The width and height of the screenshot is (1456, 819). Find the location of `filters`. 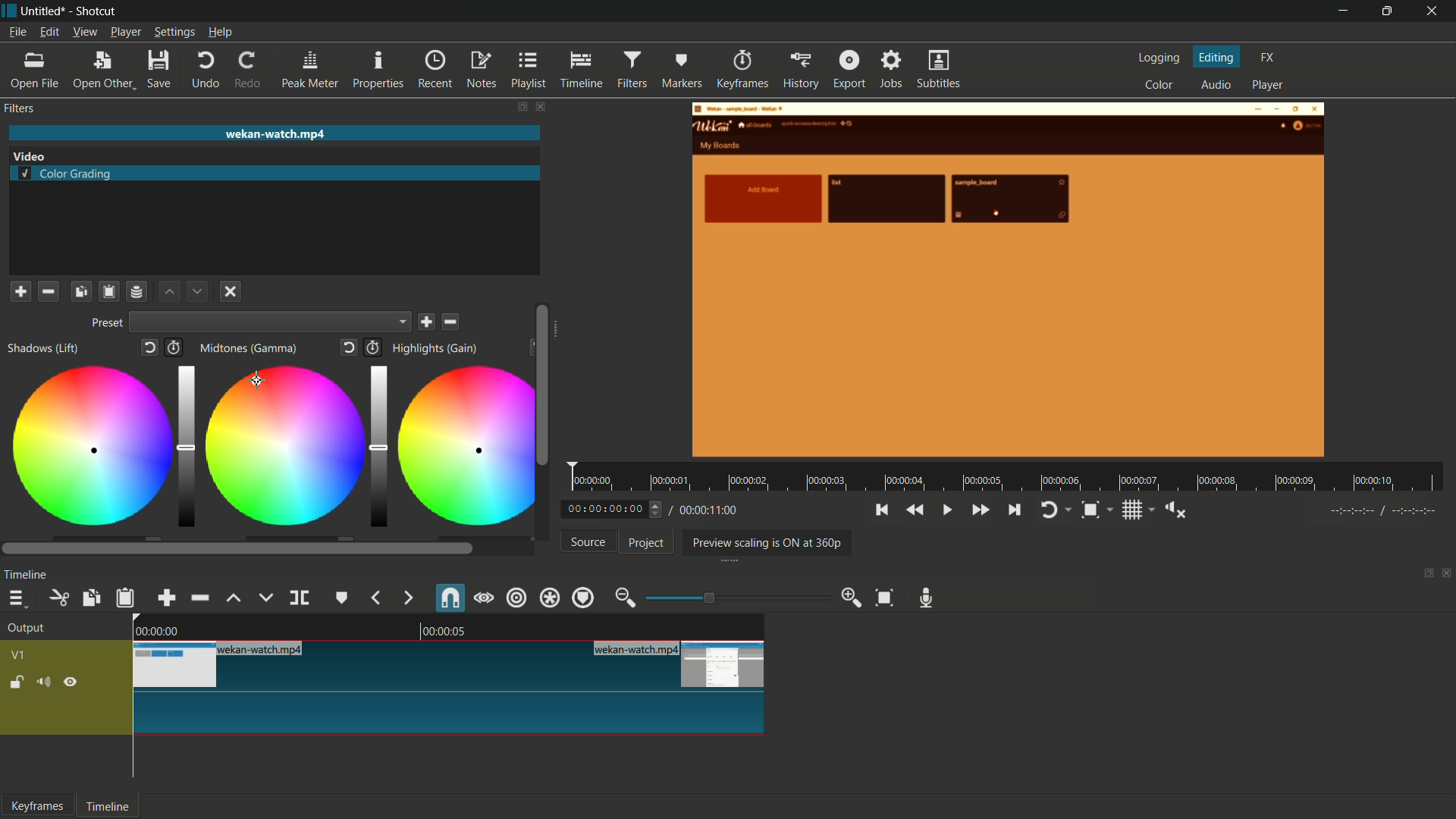

filters is located at coordinates (633, 70).